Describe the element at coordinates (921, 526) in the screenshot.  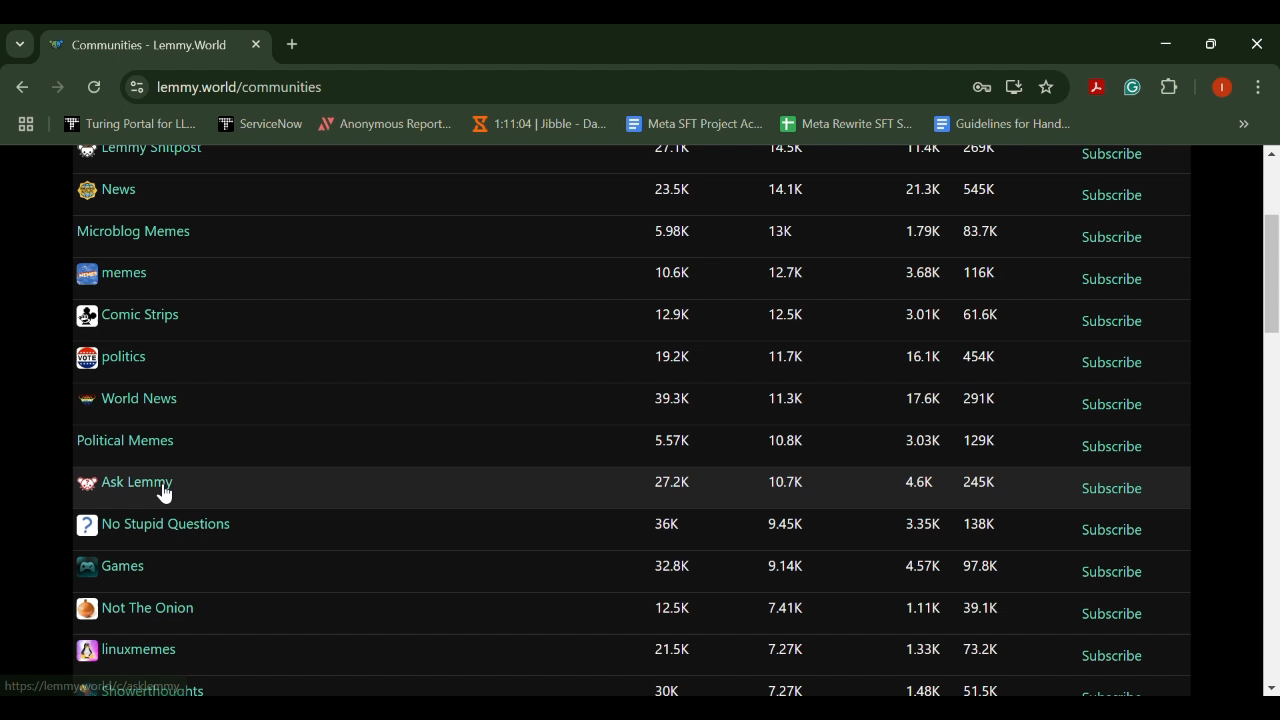
I see `3.35K` at that location.